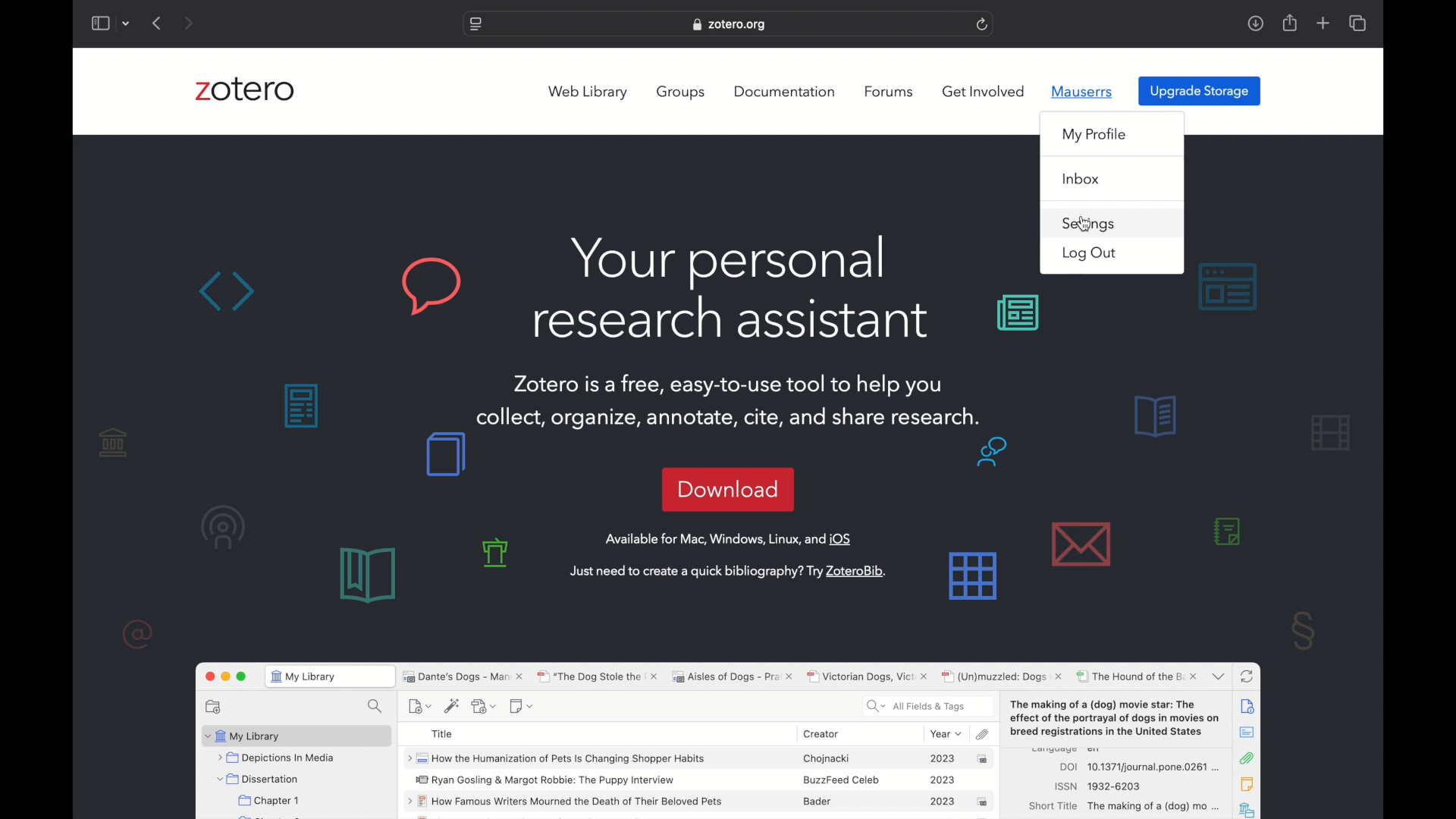 The height and width of the screenshot is (819, 1456). Describe the element at coordinates (1200, 92) in the screenshot. I see `upgrade storage` at that location.